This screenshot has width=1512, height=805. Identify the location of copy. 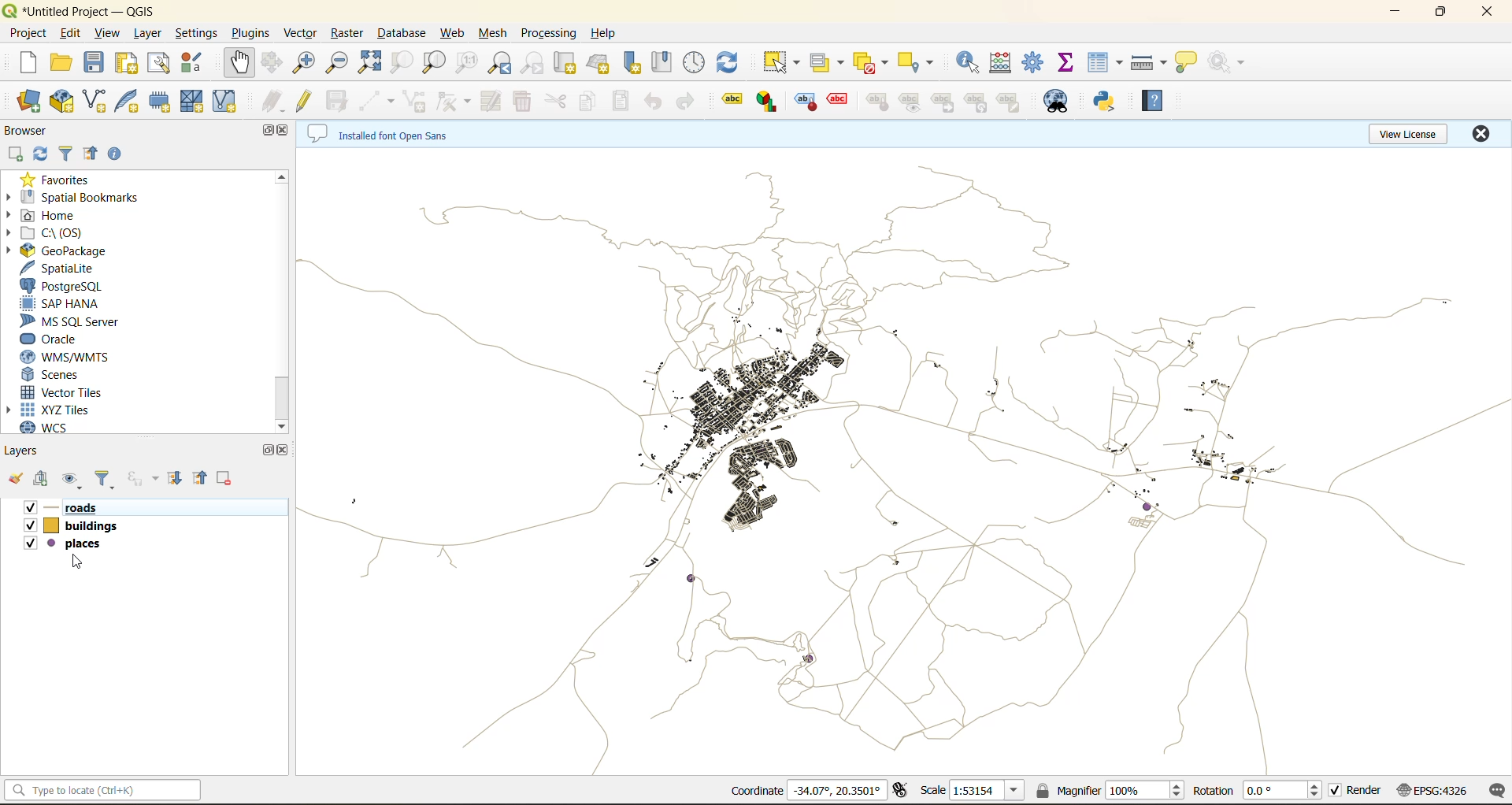
(594, 101).